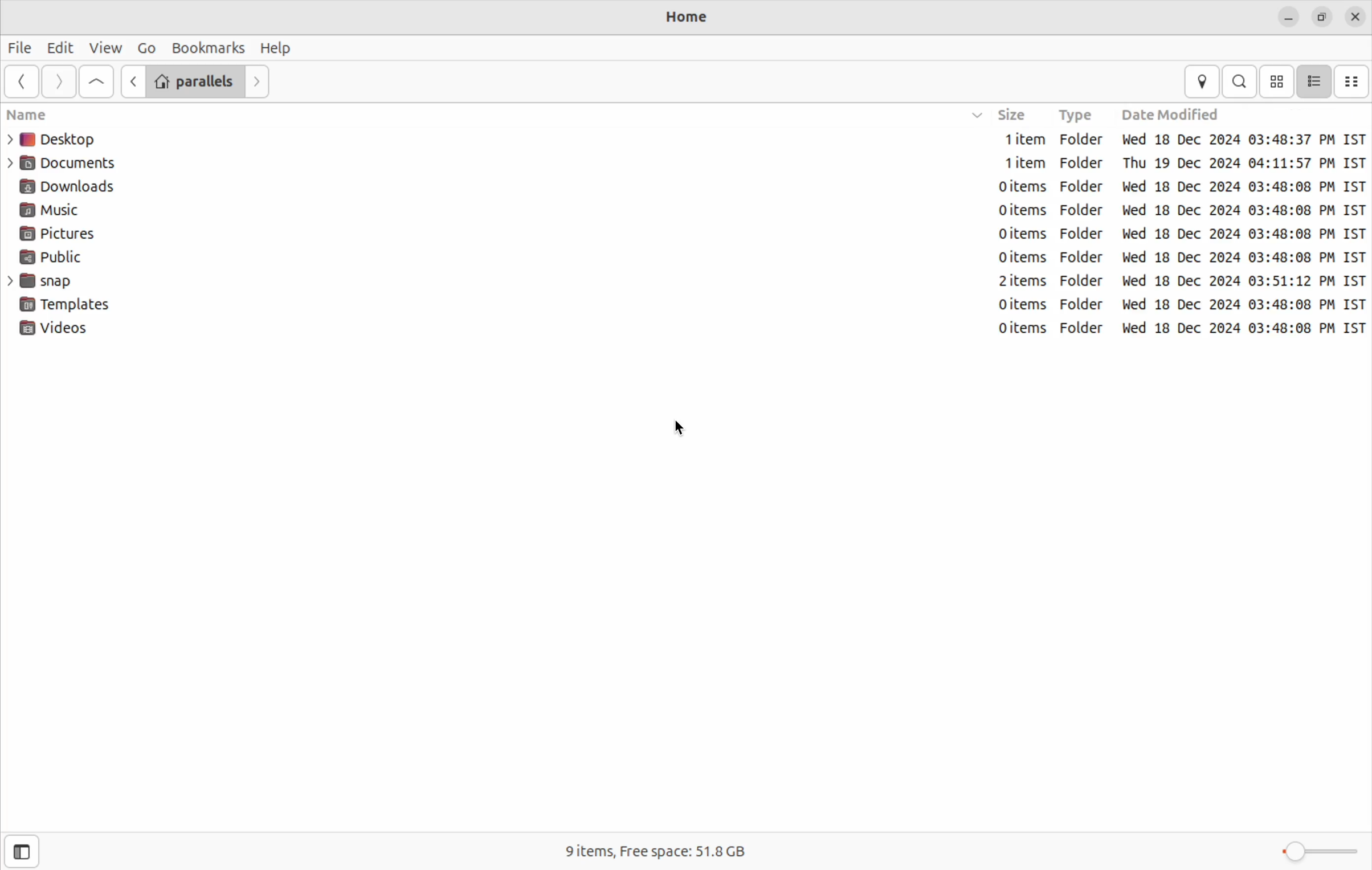 The height and width of the screenshot is (870, 1372). I want to click on Wed 18 Dec 2024 03:48:08 PM IST, so click(1245, 282).